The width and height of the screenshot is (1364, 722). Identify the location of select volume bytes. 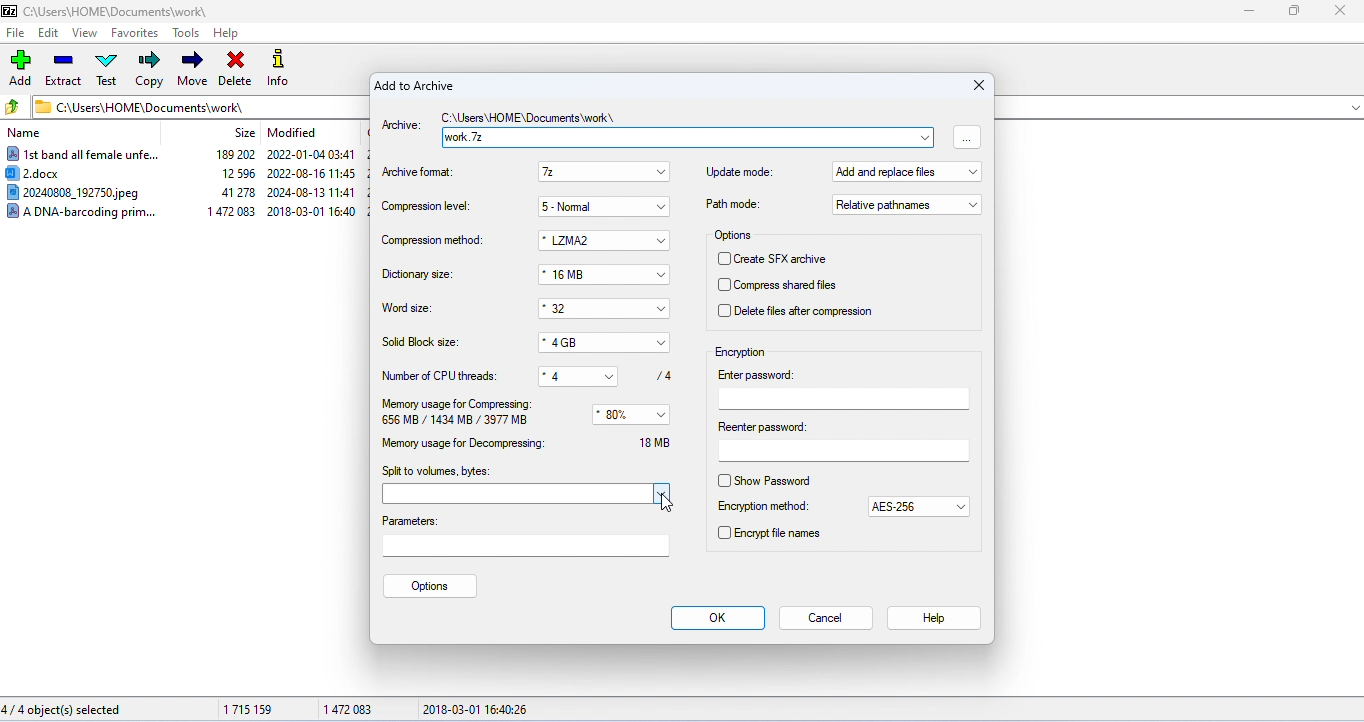
(513, 494).